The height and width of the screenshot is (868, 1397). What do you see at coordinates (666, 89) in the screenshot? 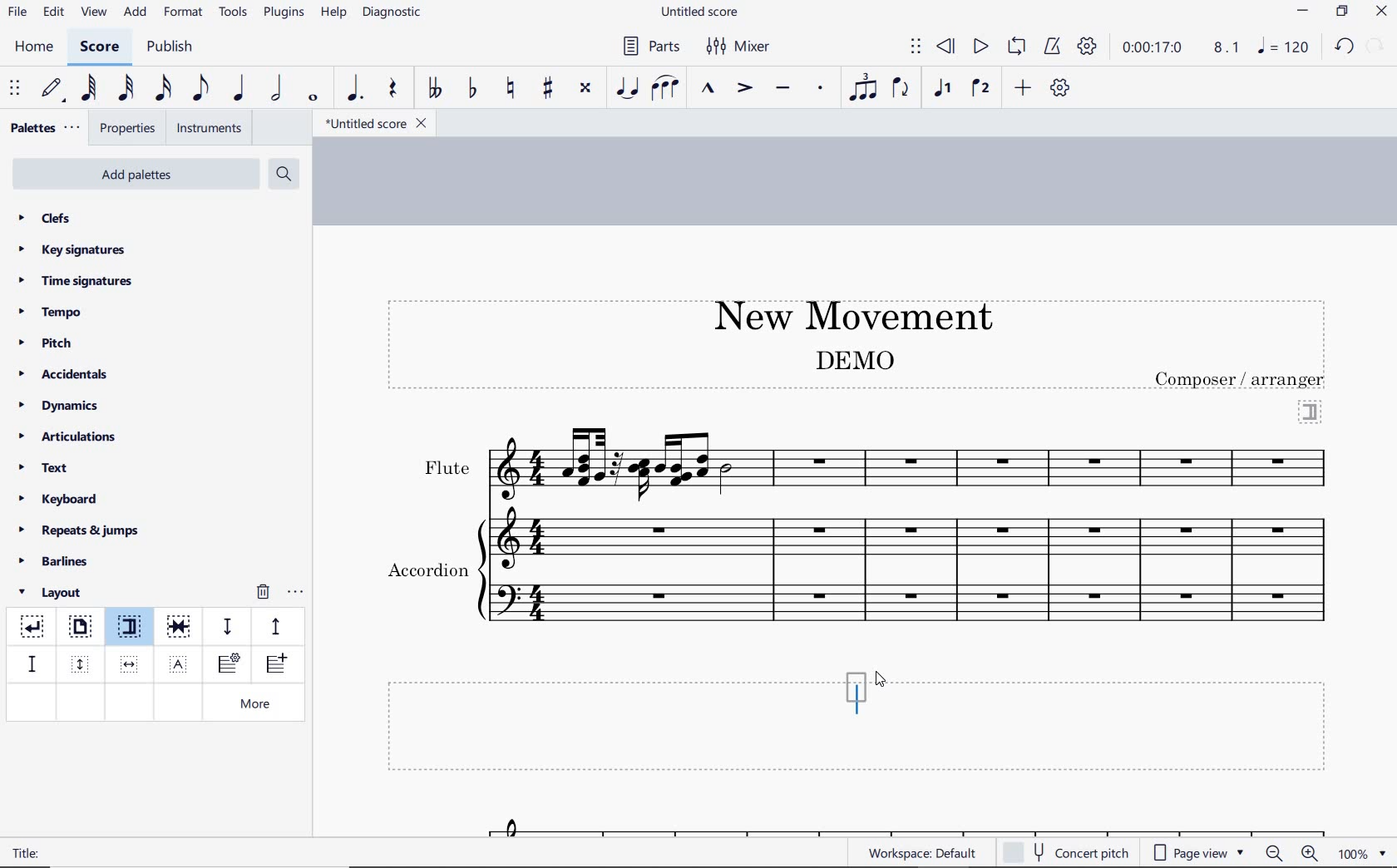
I see `slur` at bounding box center [666, 89].